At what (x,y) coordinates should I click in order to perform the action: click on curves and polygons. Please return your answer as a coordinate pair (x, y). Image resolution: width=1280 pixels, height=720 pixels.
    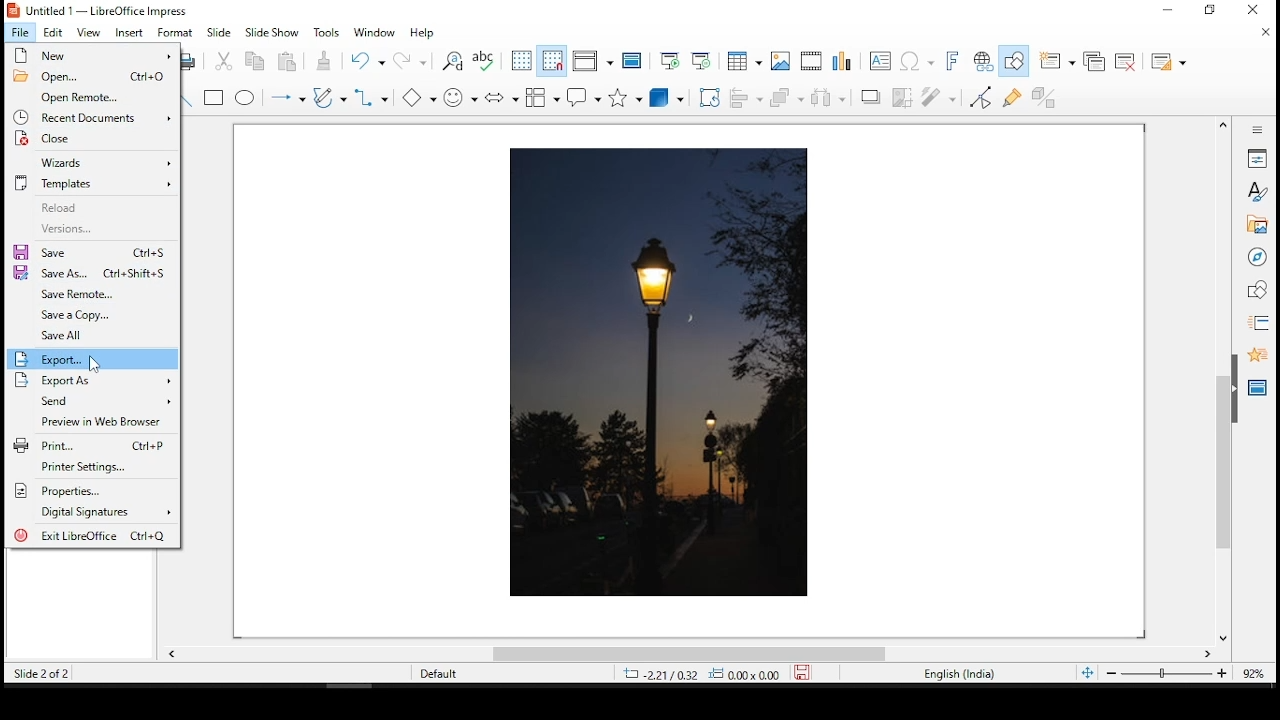
    Looking at the image, I should click on (327, 97).